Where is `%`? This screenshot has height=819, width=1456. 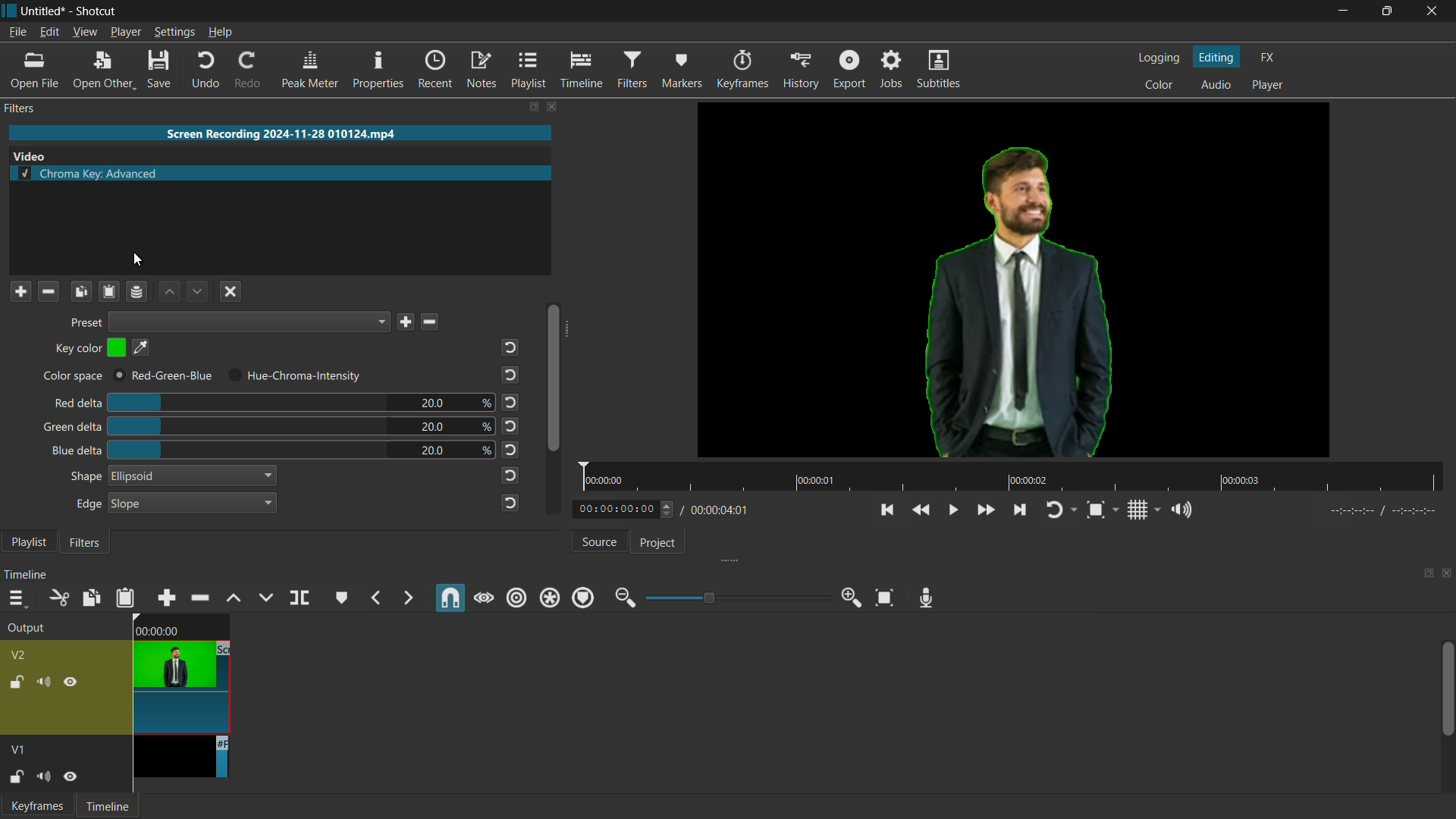
% is located at coordinates (488, 403).